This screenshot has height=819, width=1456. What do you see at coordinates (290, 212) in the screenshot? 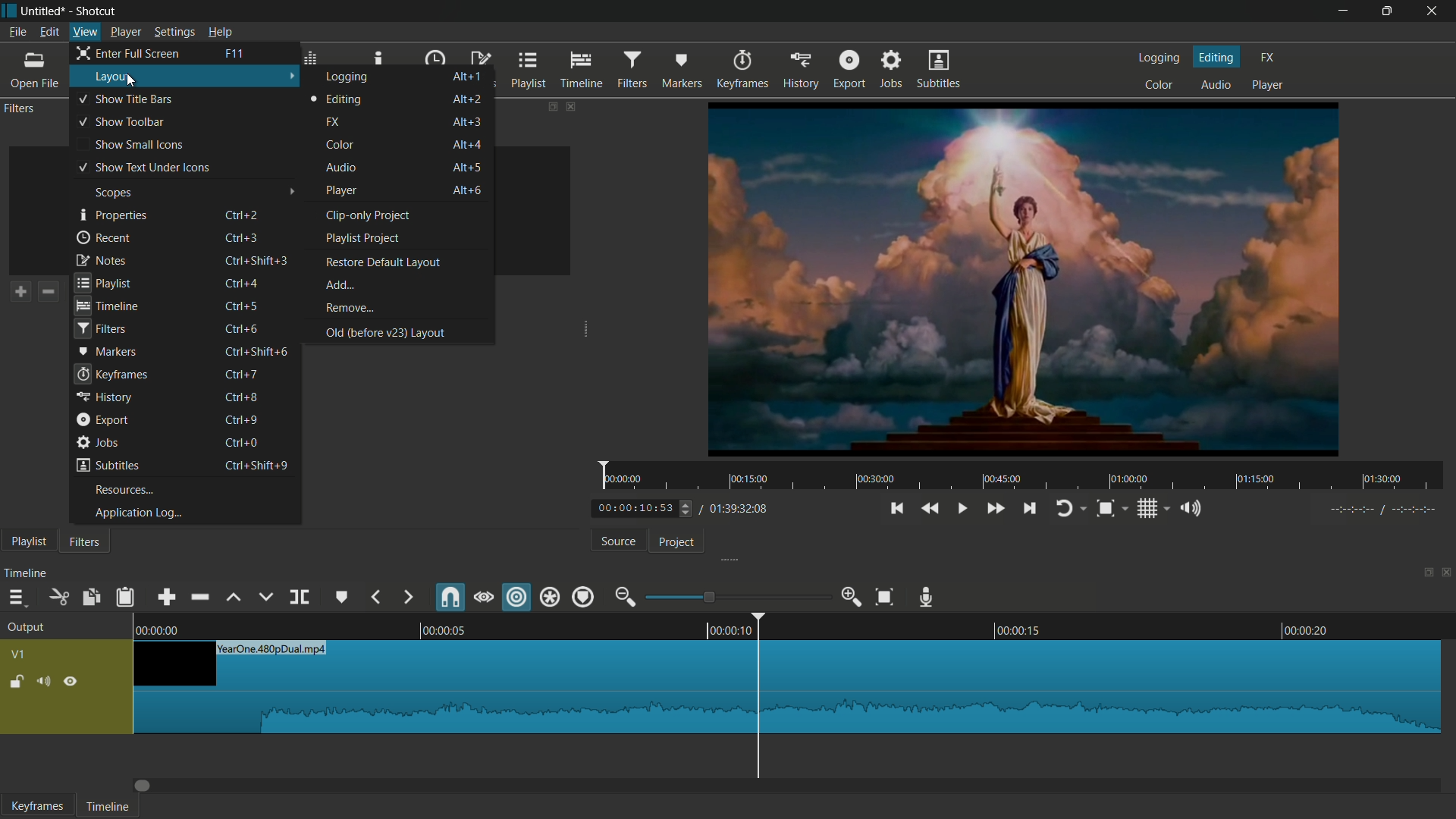
I see `select a clip` at bounding box center [290, 212].